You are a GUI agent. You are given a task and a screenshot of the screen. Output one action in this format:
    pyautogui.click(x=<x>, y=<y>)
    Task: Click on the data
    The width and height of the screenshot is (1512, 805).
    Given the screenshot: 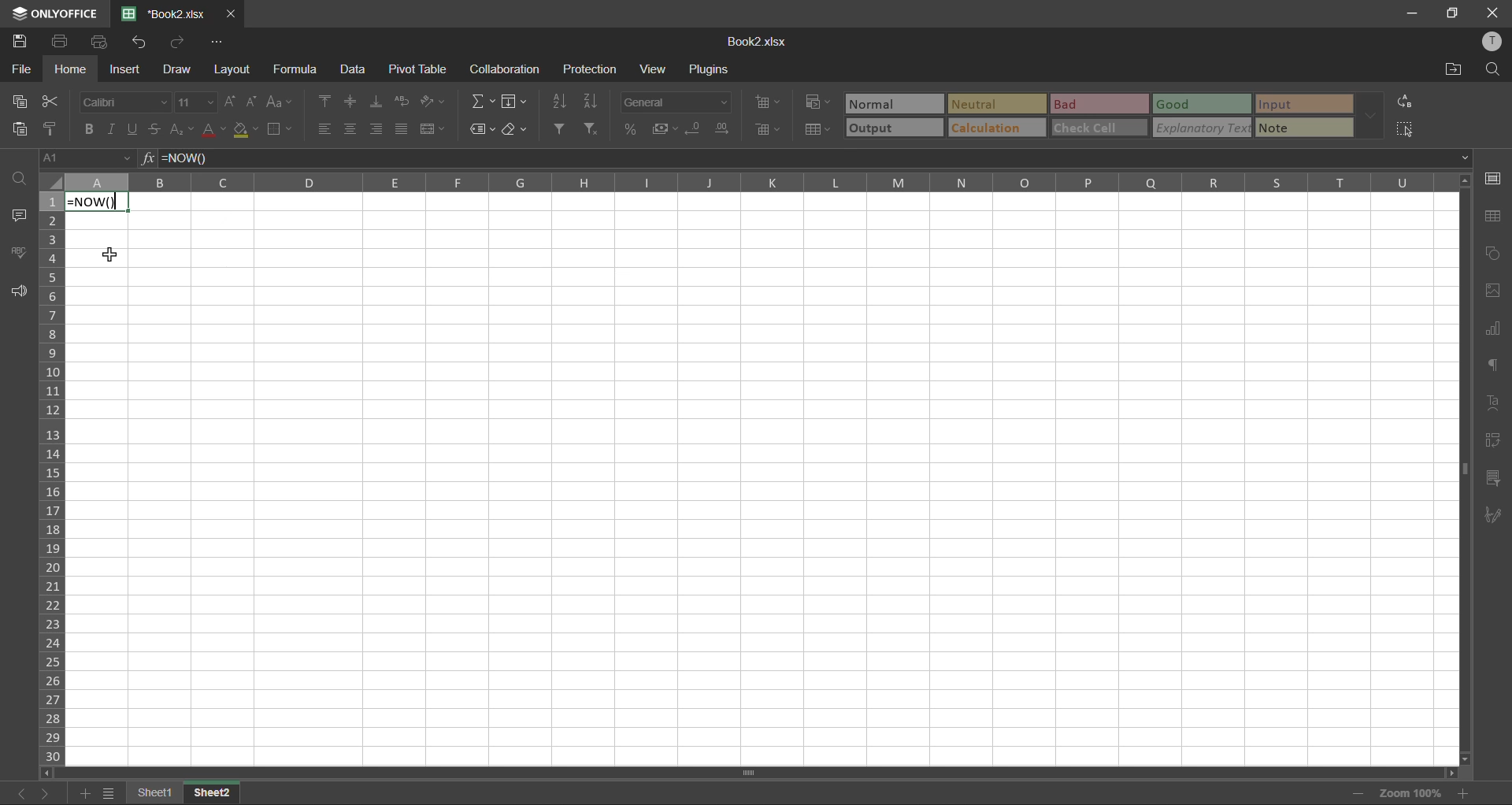 What is the action you would take?
    pyautogui.click(x=352, y=71)
    